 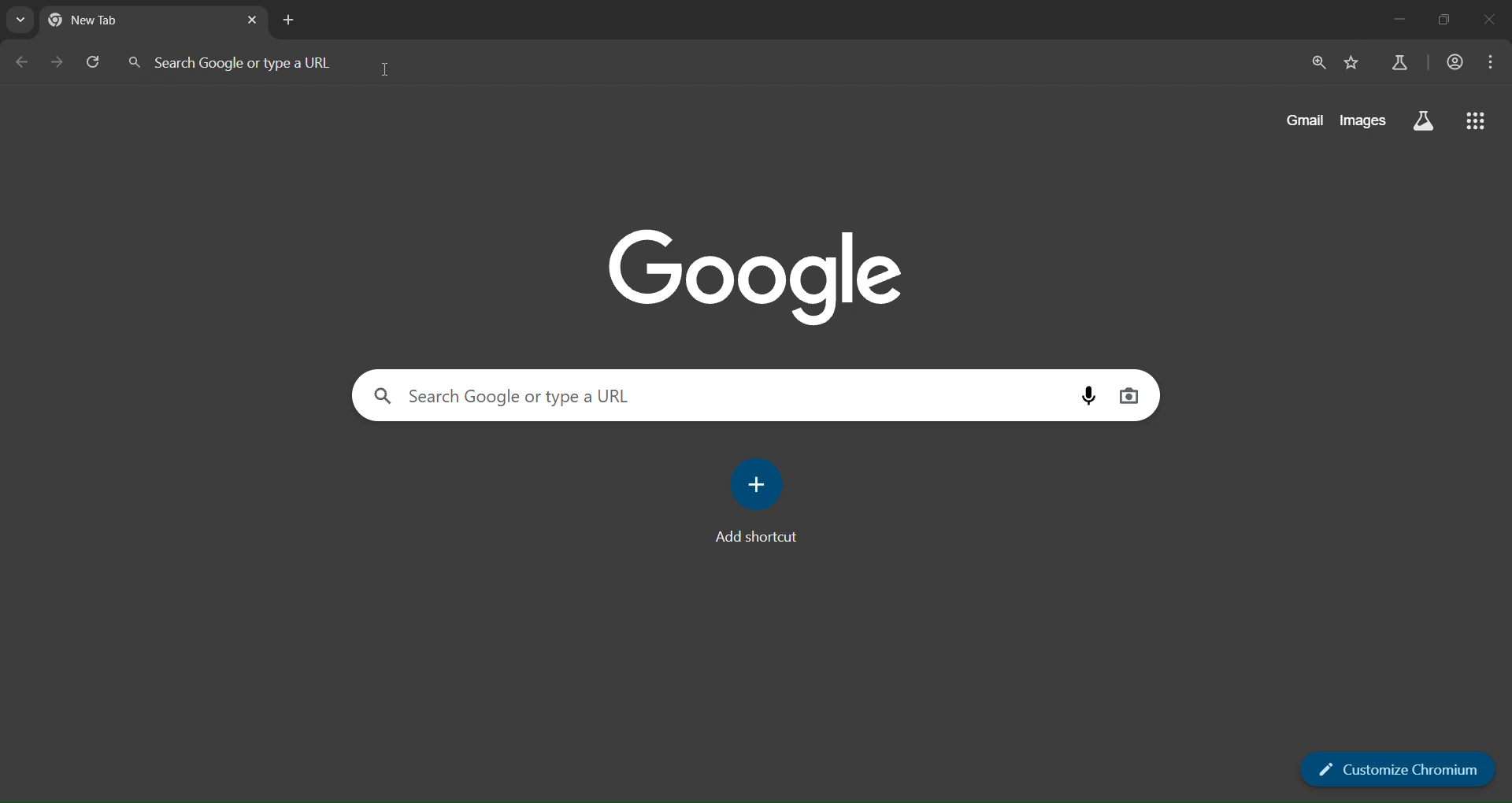 I want to click on images, so click(x=1365, y=120).